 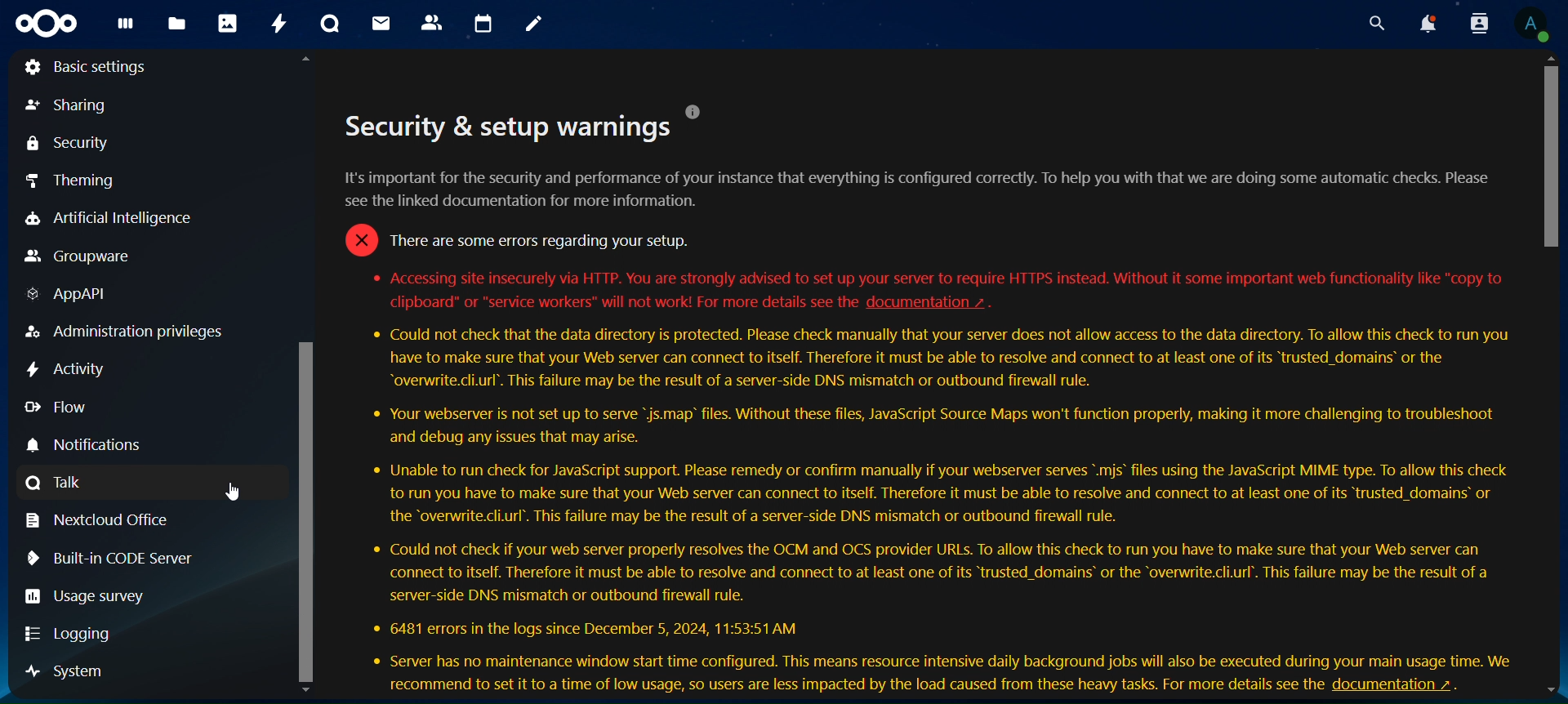 What do you see at coordinates (433, 21) in the screenshot?
I see `contacts` at bounding box center [433, 21].